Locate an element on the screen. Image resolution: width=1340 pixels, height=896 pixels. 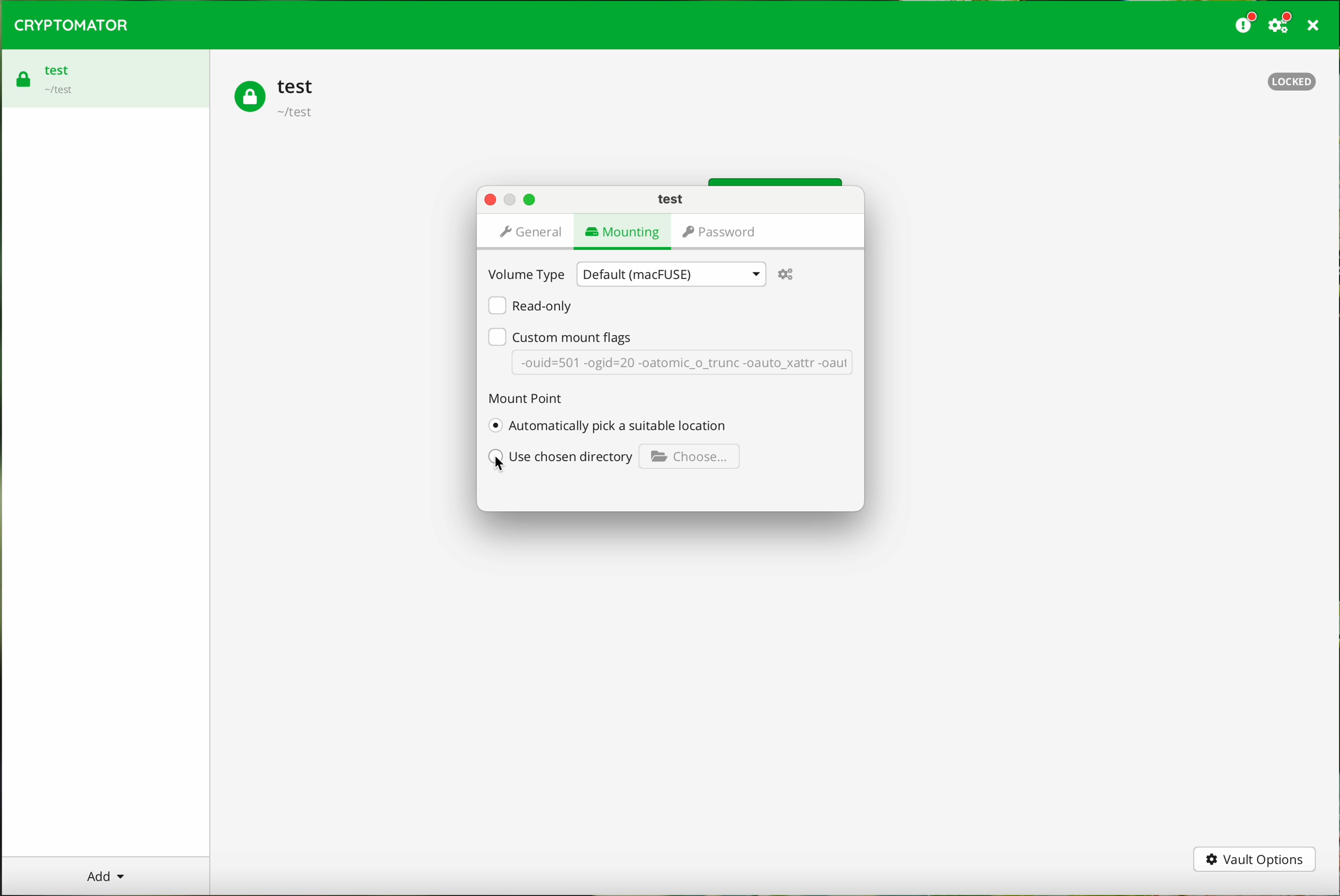
close pop-up is located at coordinates (490, 200).